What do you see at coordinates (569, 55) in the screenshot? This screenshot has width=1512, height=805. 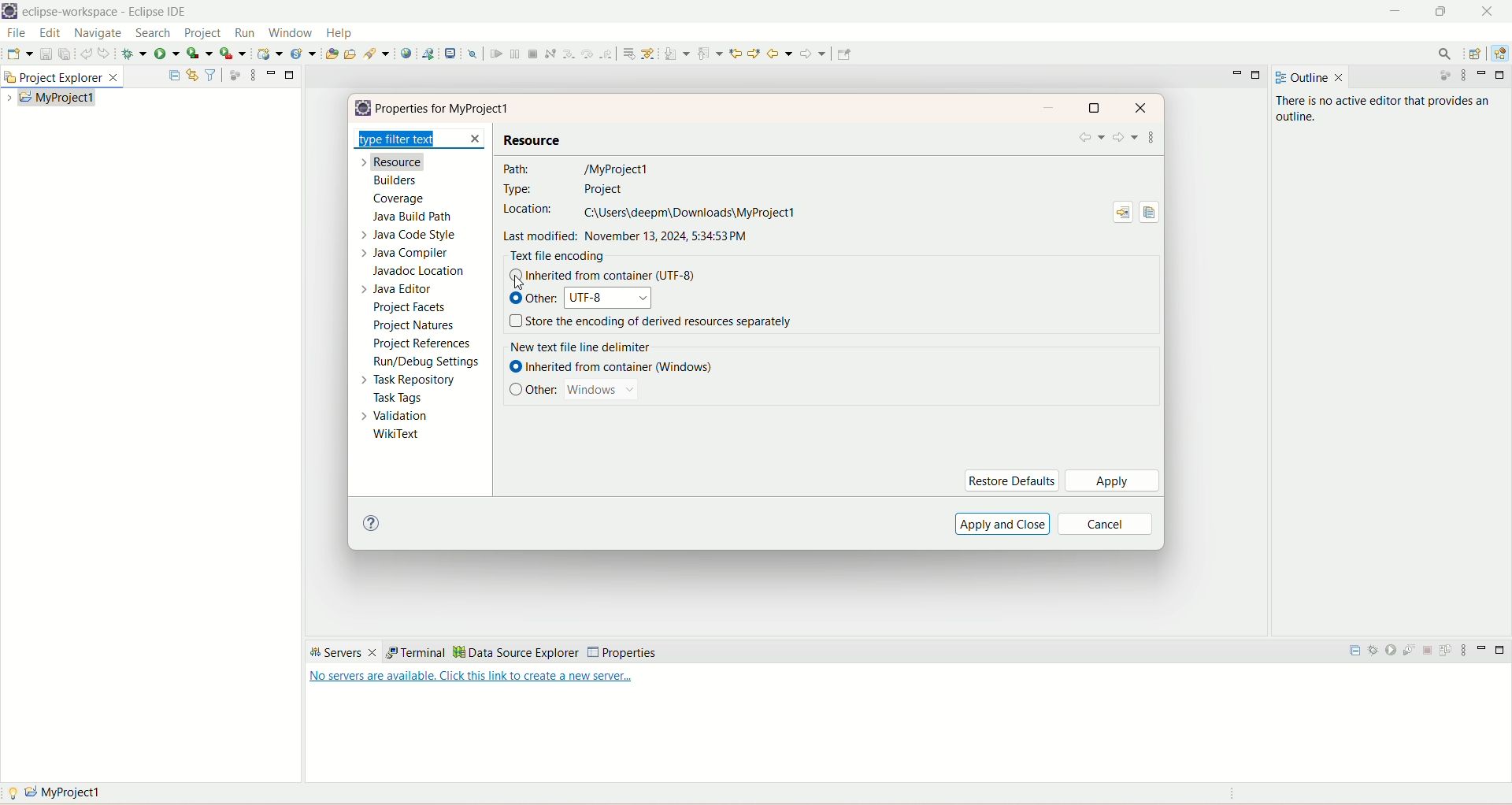 I see `step into` at bounding box center [569, 55].